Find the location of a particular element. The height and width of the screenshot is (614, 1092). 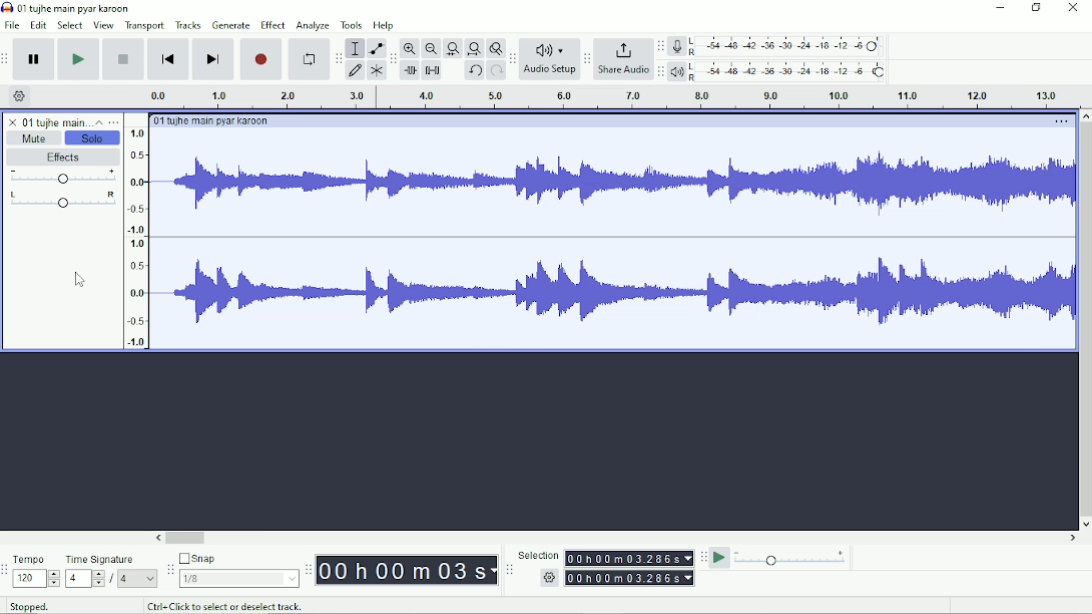

Record is located at coordinates (262, 60).